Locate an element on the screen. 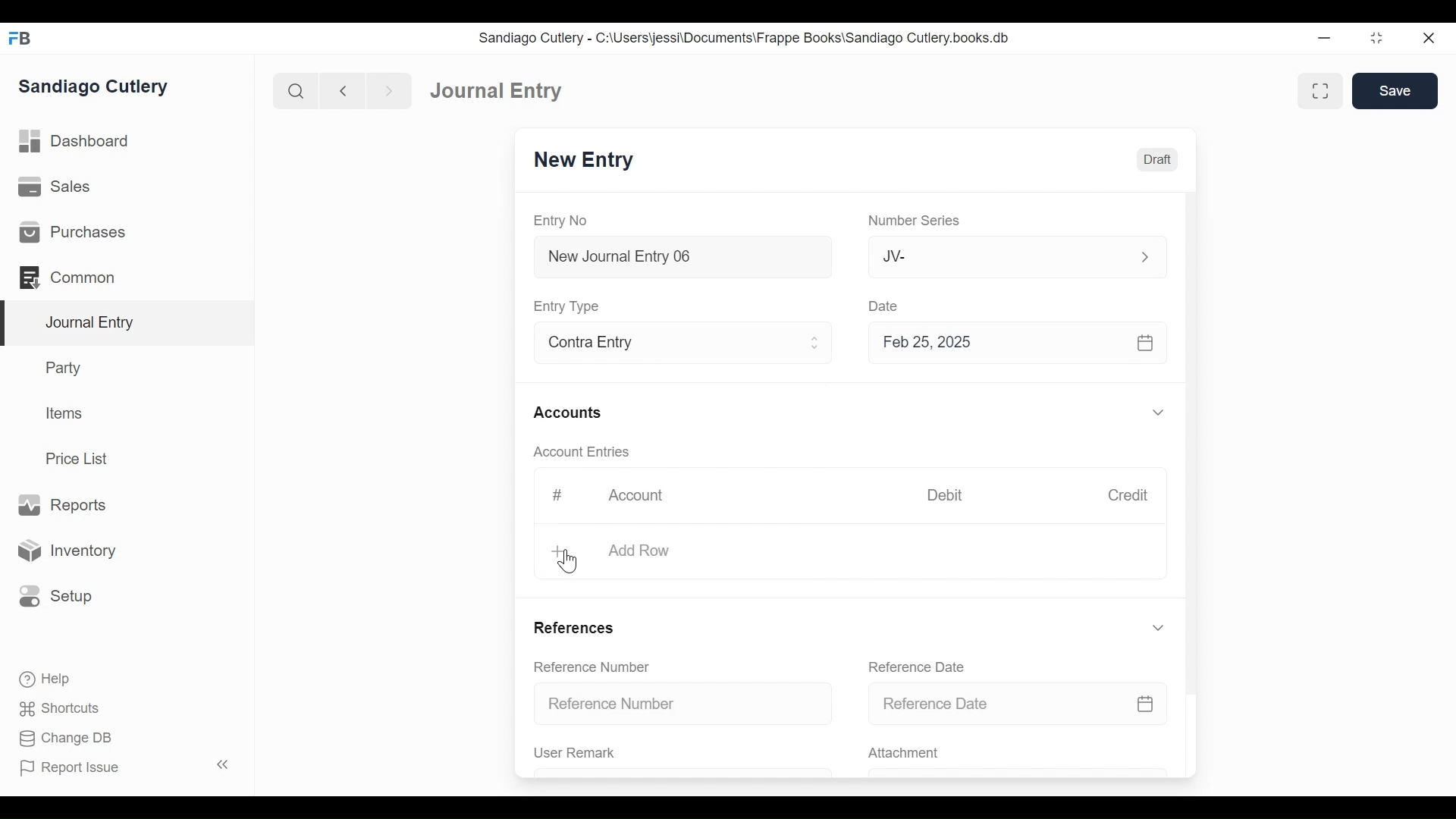 The width and height of the screenshot is (1456, 819). Attachment is located at coordinates (902, 754).